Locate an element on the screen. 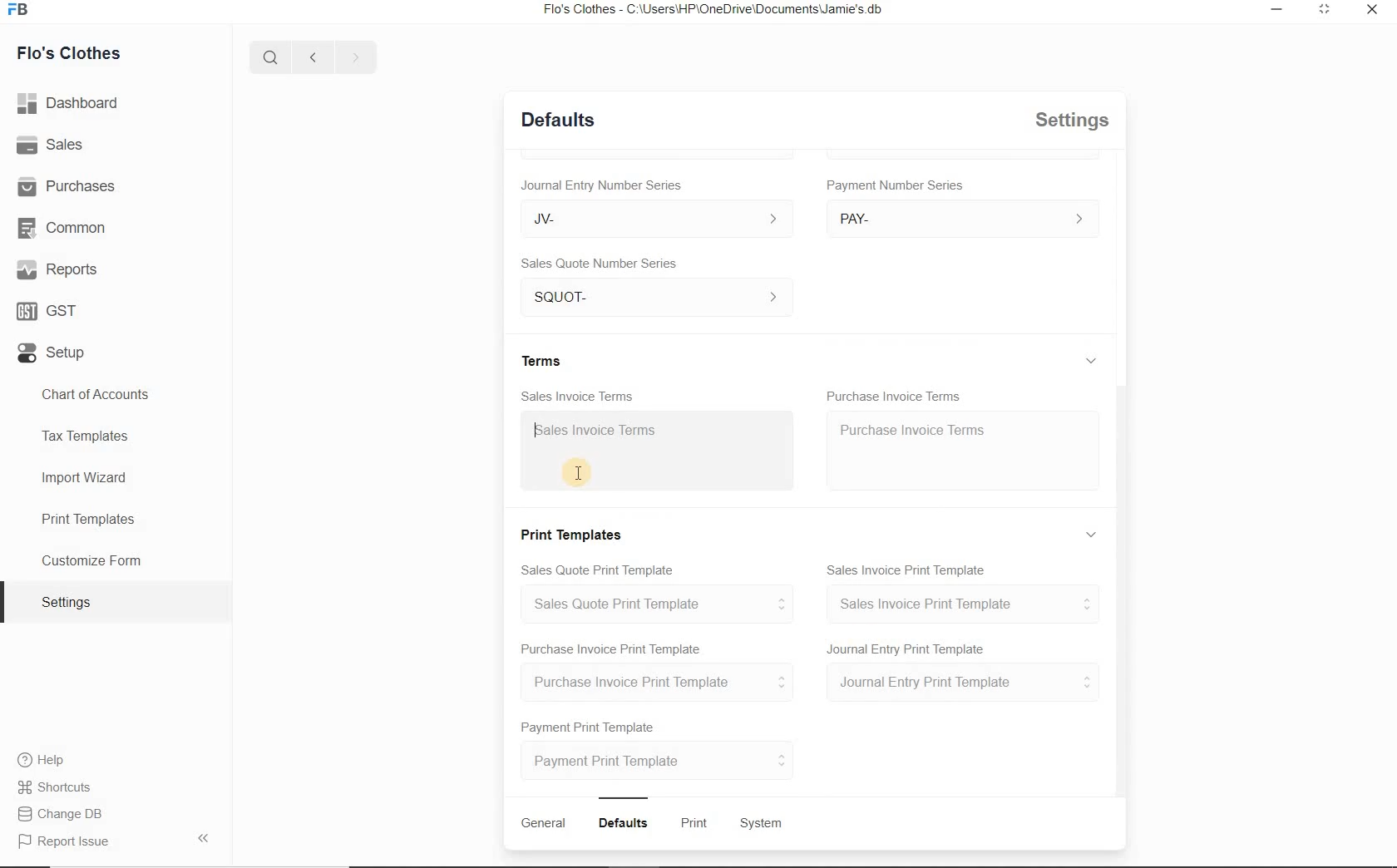 This screenshot has height=868, width=1397. Purchase Invoice Terms is located at coordinates (893, 394).